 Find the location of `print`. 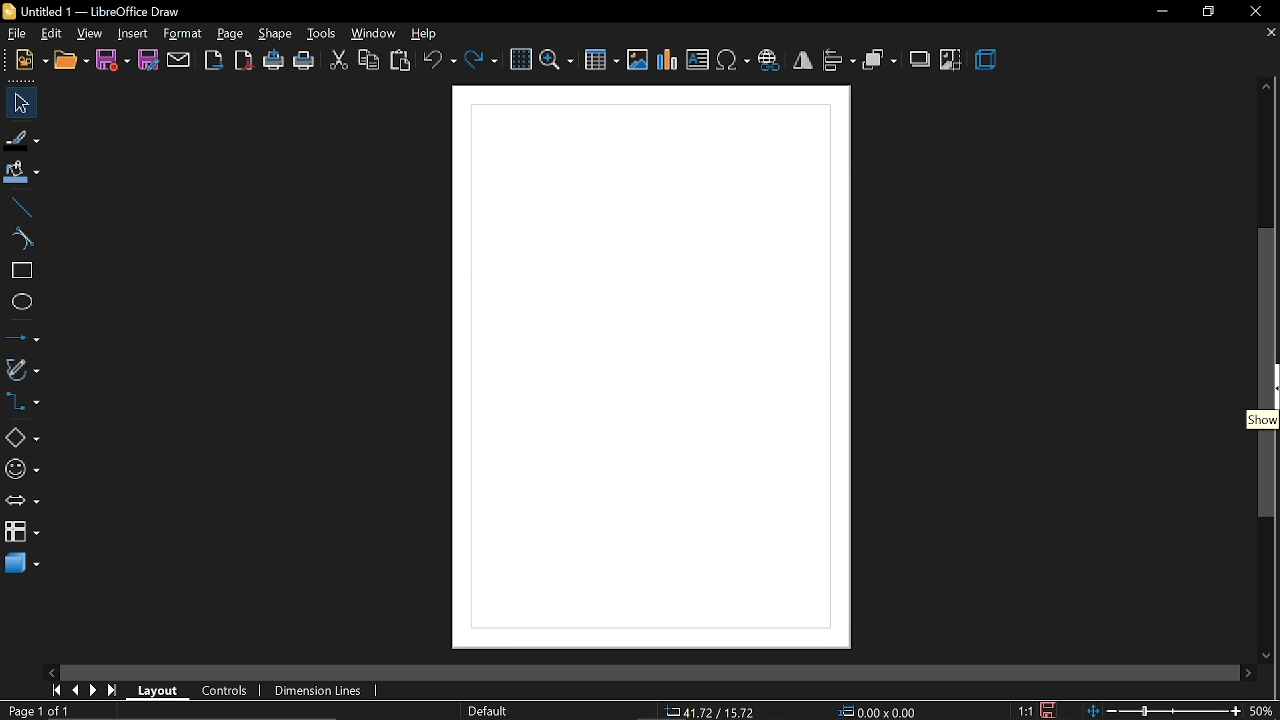

print is located at coordinates (303, 62).